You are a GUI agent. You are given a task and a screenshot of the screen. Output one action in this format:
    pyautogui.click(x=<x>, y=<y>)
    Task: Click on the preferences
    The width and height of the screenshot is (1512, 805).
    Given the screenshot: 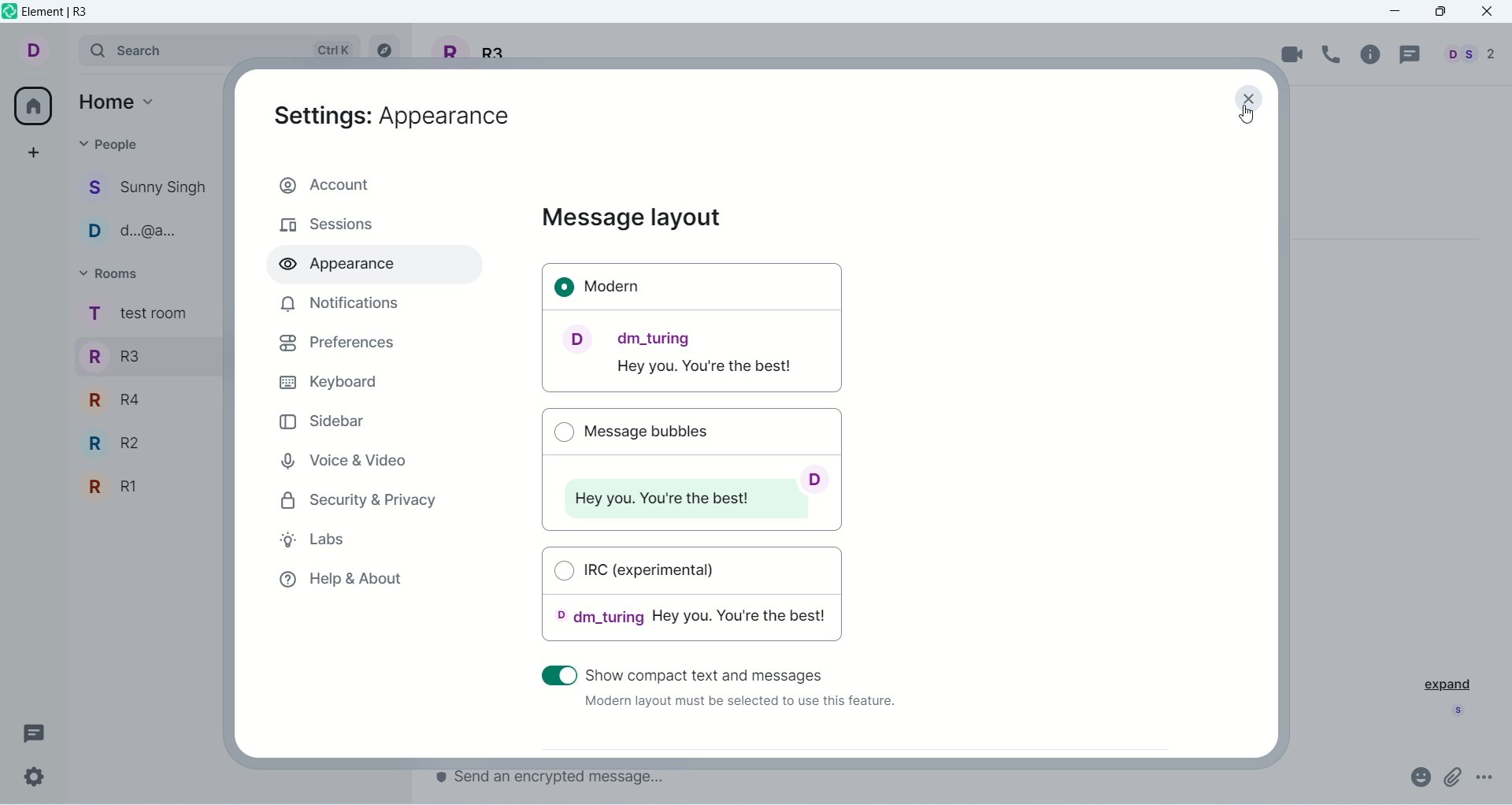 What is the action you would take?
    pyautogui.click(x=337, y=343)
    